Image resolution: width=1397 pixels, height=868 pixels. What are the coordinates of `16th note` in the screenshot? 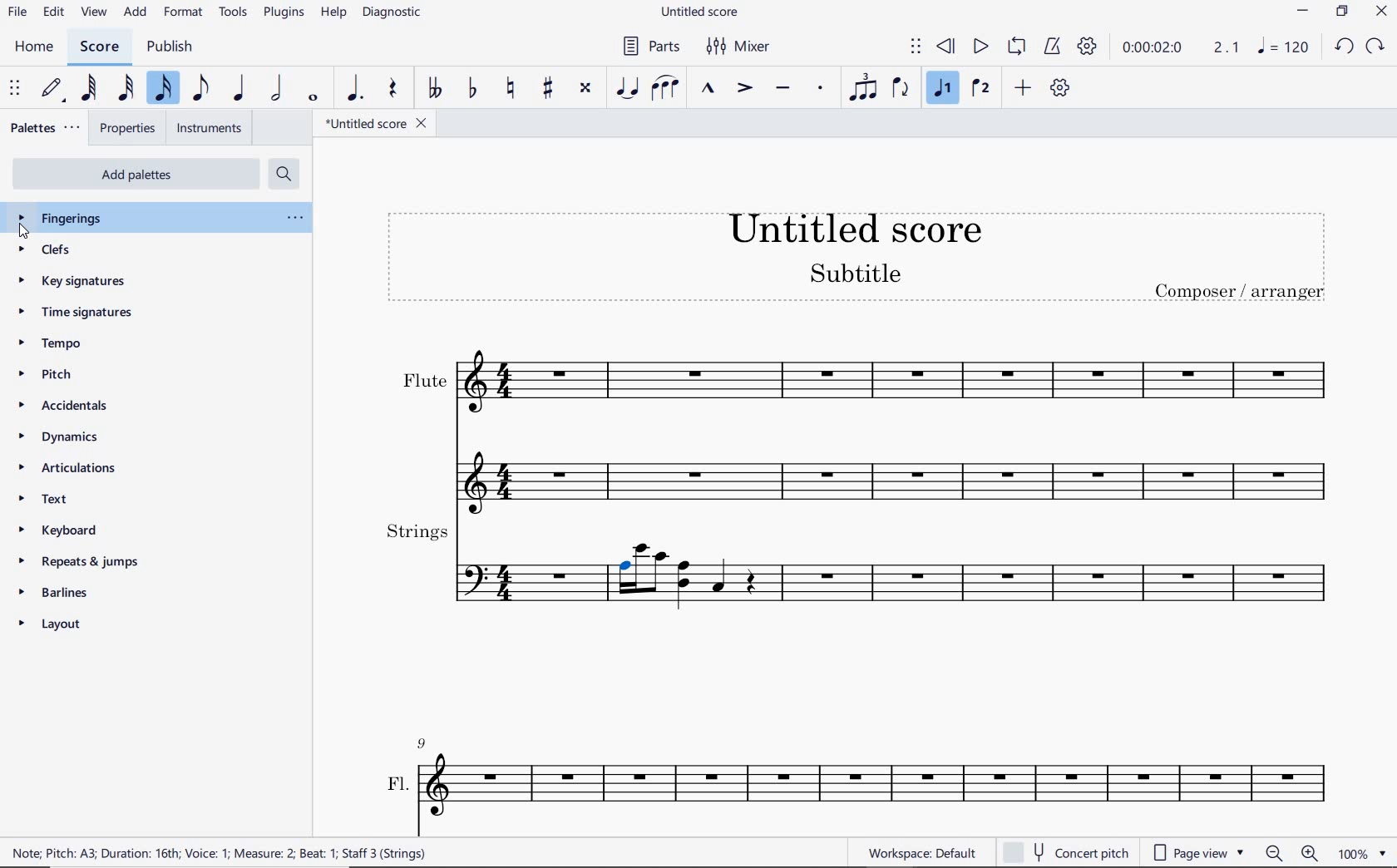 It's located at (161, 86).